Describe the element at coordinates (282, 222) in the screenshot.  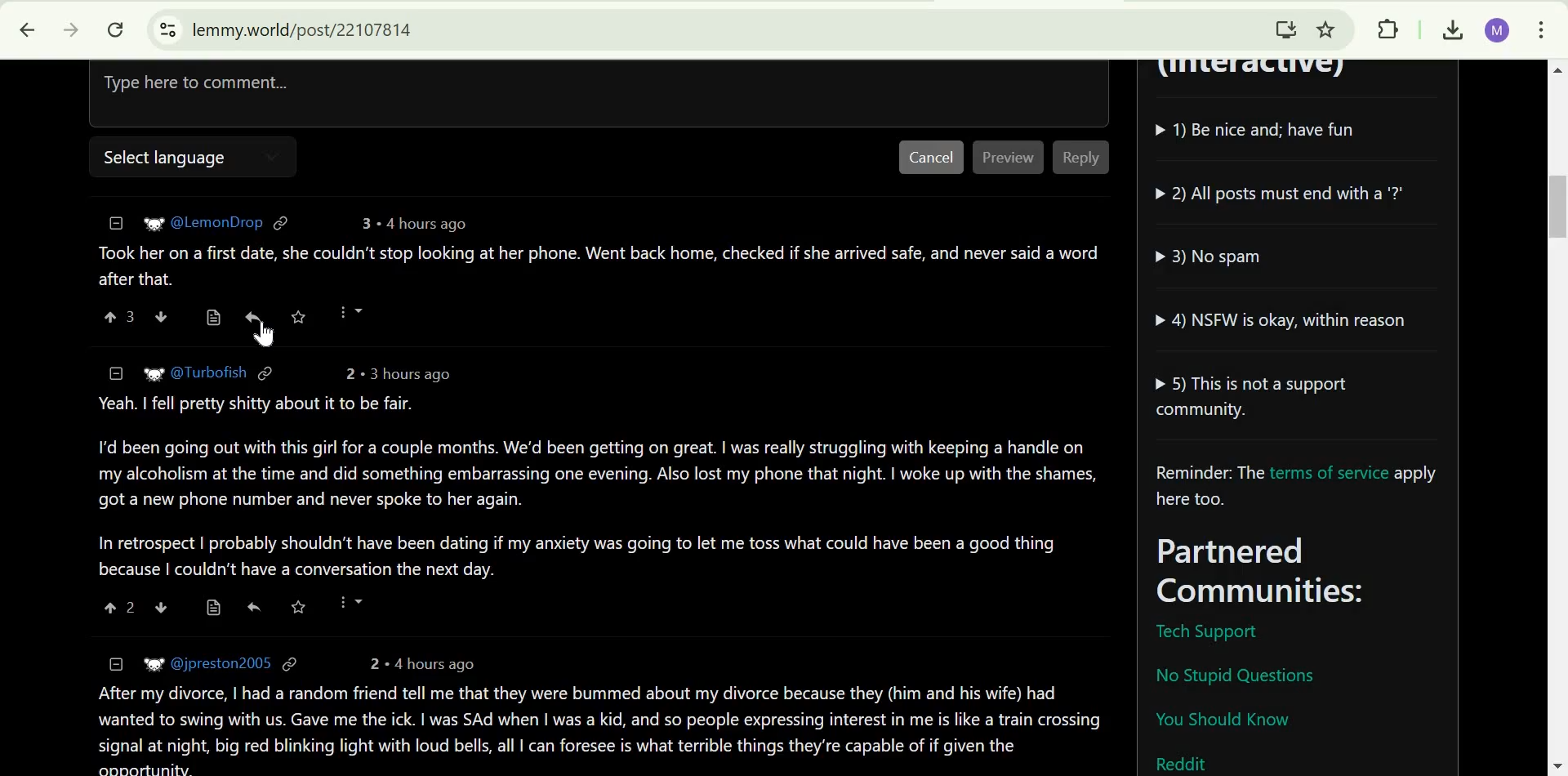
I see `link` at that location.